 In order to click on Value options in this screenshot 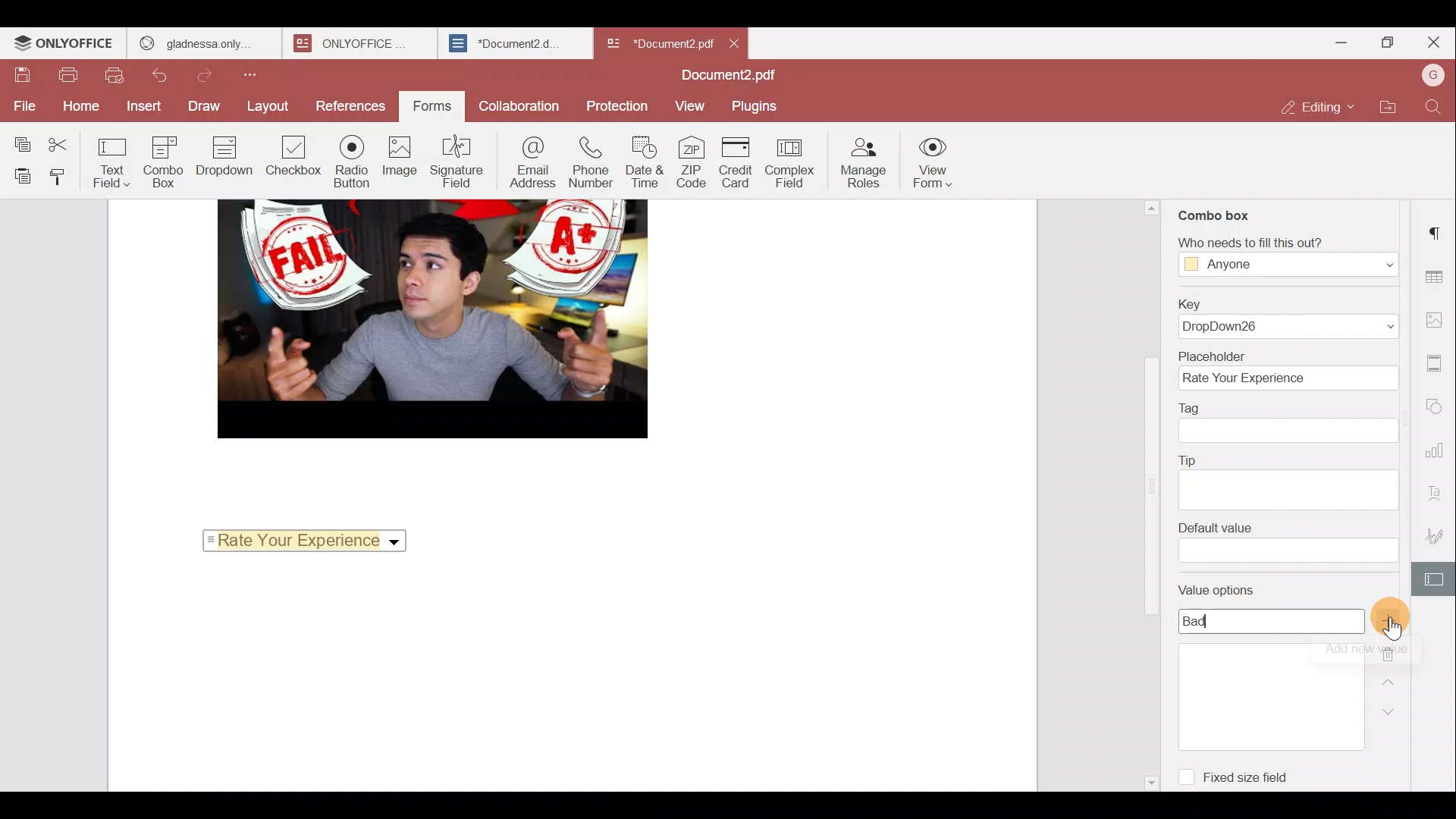, I will do `click(1251, 657)`.